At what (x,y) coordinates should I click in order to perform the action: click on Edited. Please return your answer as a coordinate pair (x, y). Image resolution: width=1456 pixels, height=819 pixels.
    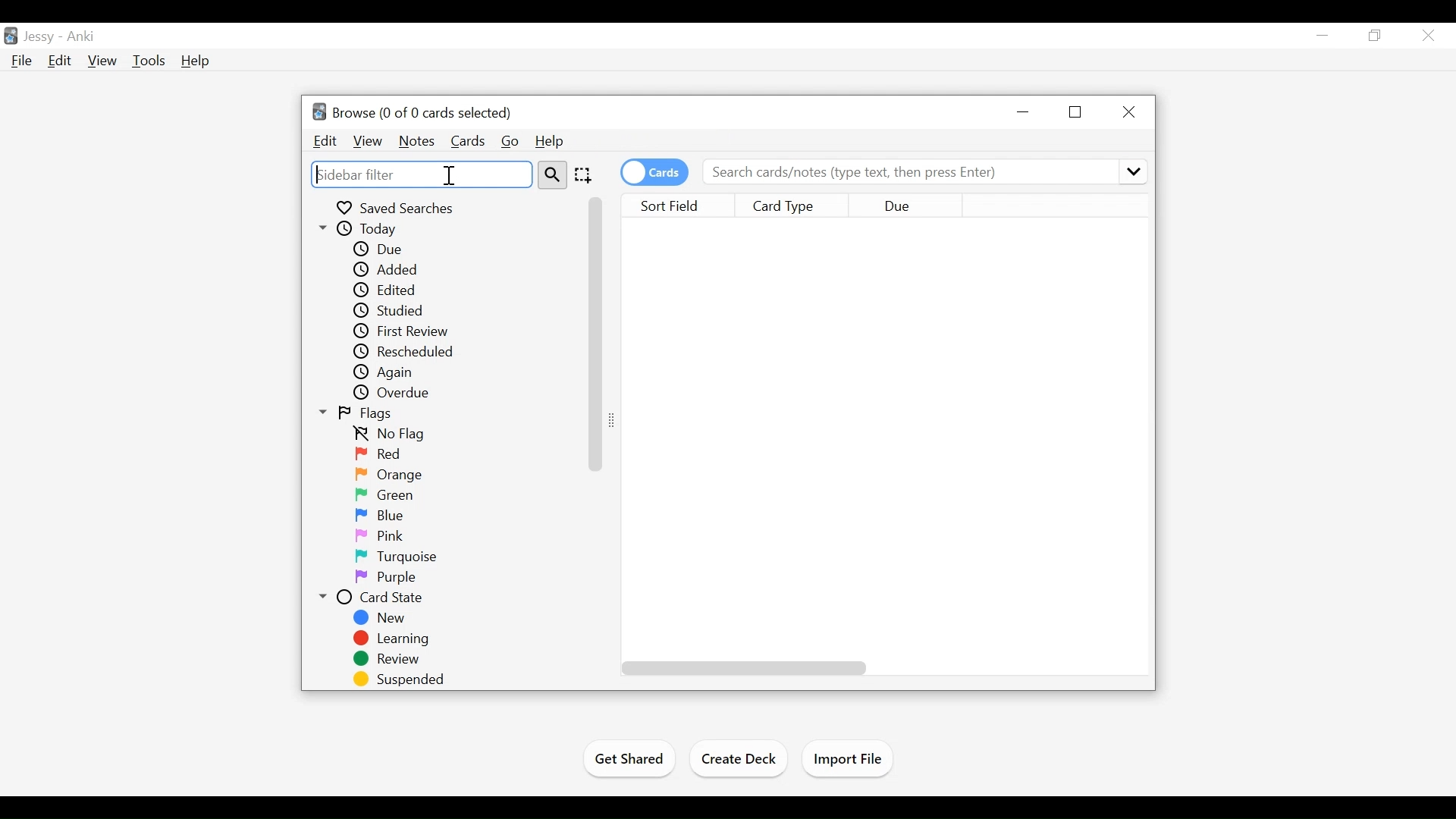
    Looking at the image, I should click on (388, 290).